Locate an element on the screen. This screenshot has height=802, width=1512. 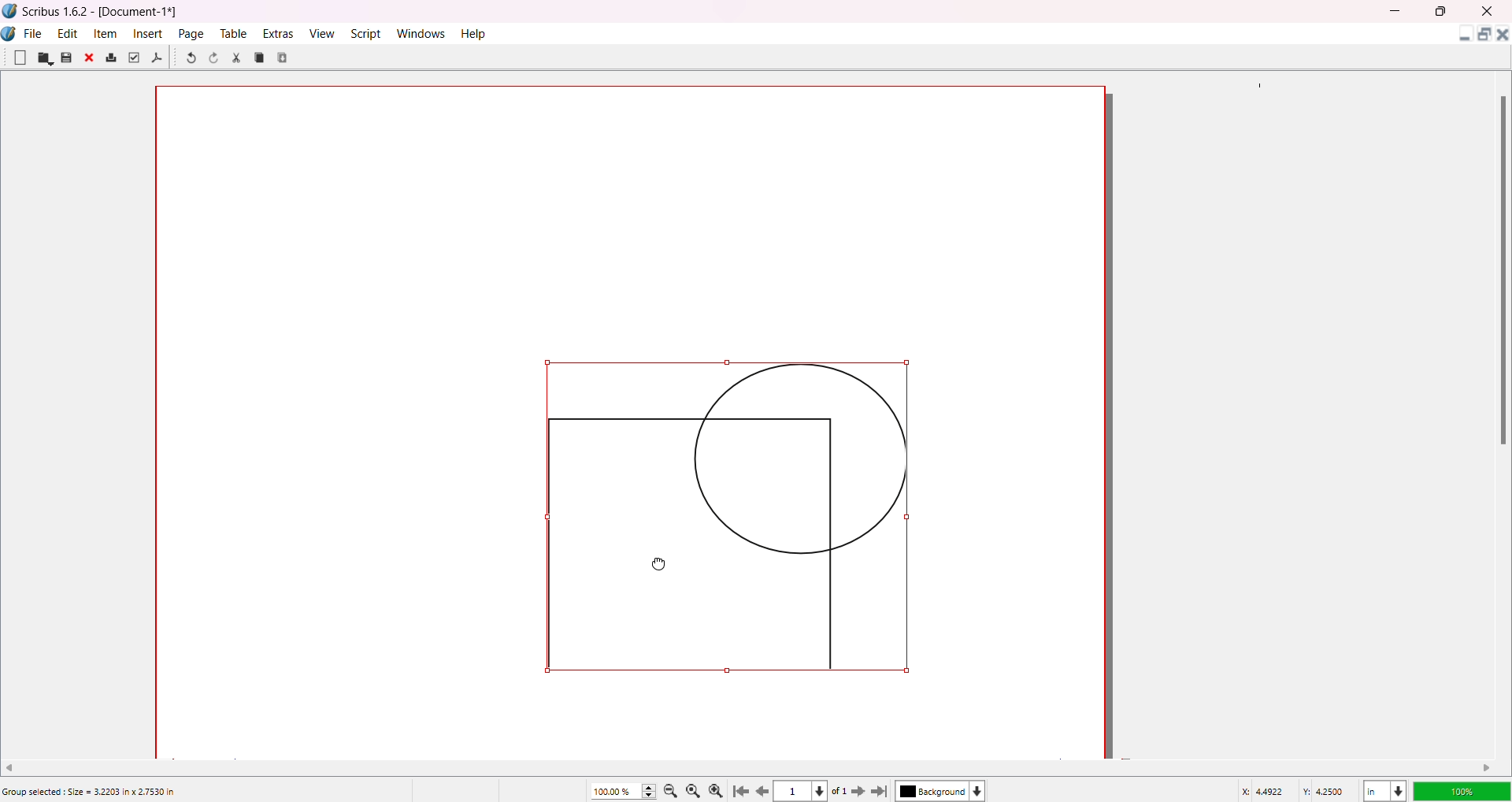
Move right is located at coordinates (1488, 767).